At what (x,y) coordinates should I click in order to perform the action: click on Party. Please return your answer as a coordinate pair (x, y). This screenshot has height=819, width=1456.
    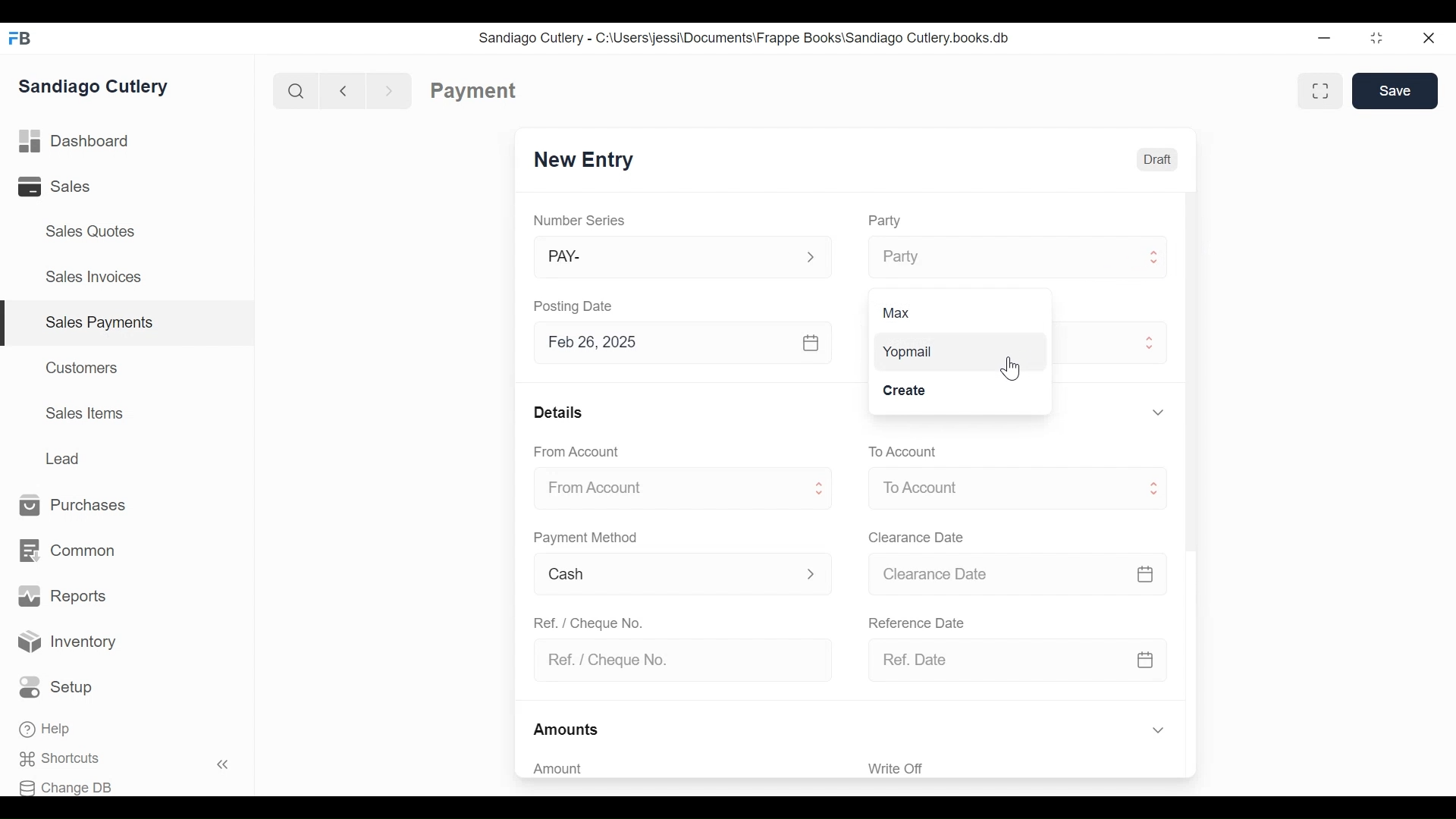
    Looking at the image, I should click on (883, 221).